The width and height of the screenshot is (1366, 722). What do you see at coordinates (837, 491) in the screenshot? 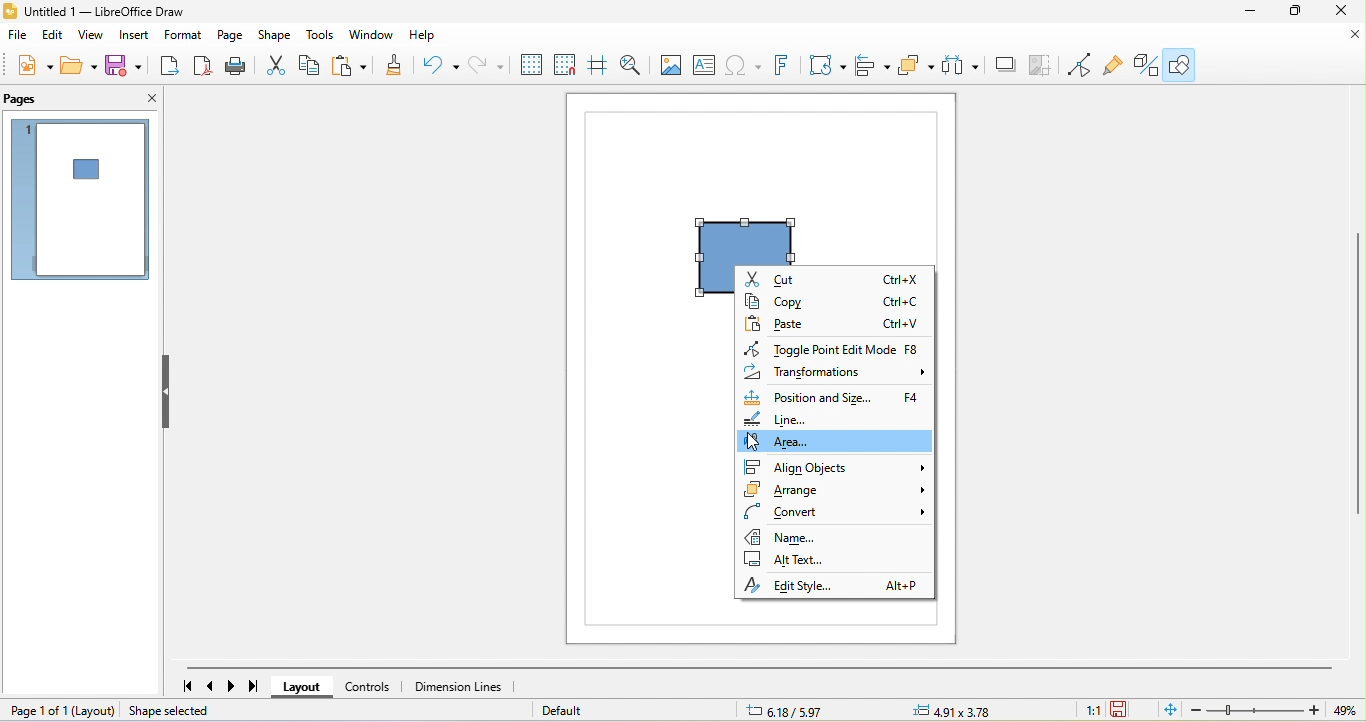
I see `arrange` at bounding box center [837, 491].